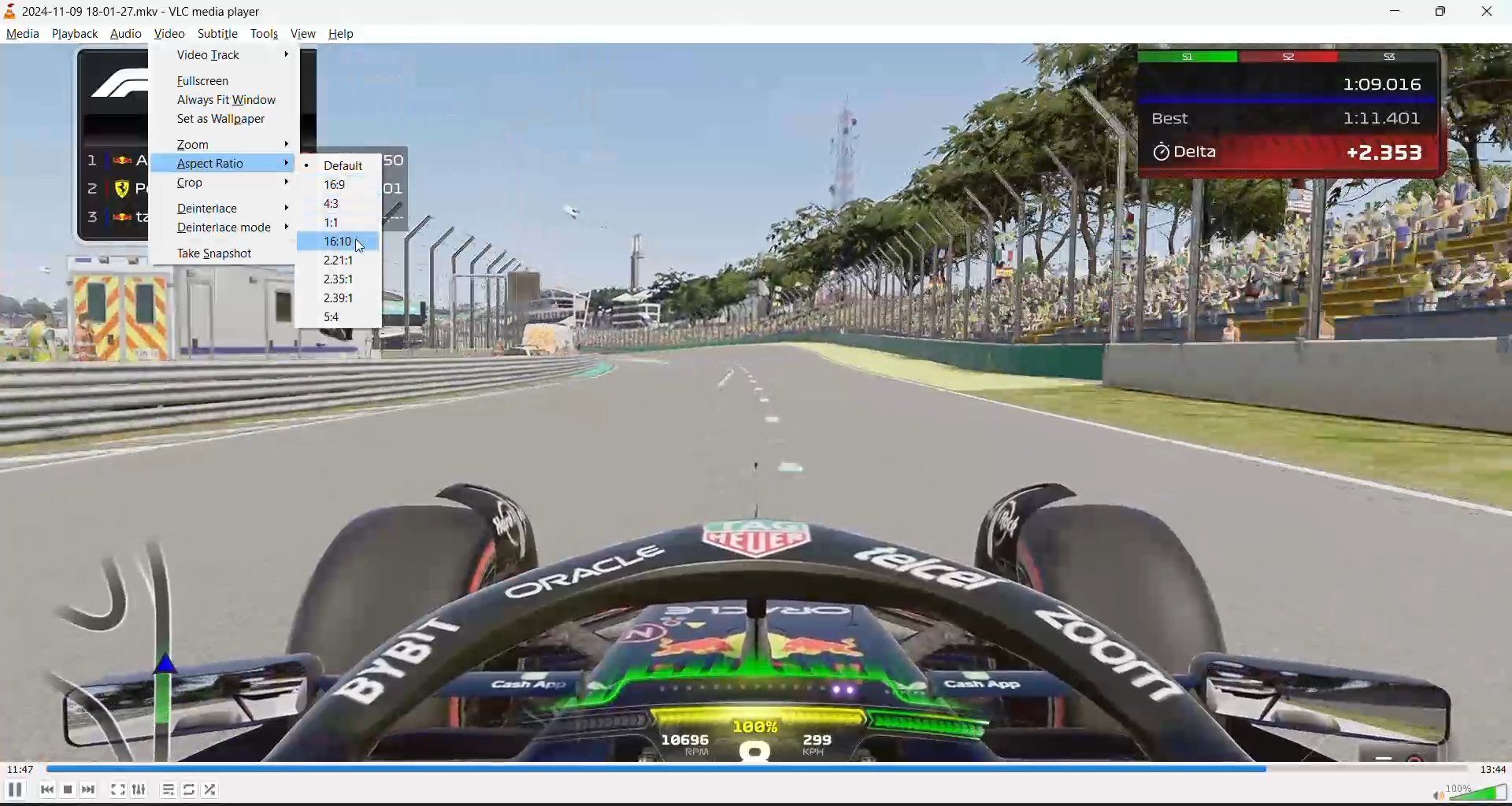 The width and height of the screenshot is (1512, 806). I want to click on fullscreen, so click(206, 83).